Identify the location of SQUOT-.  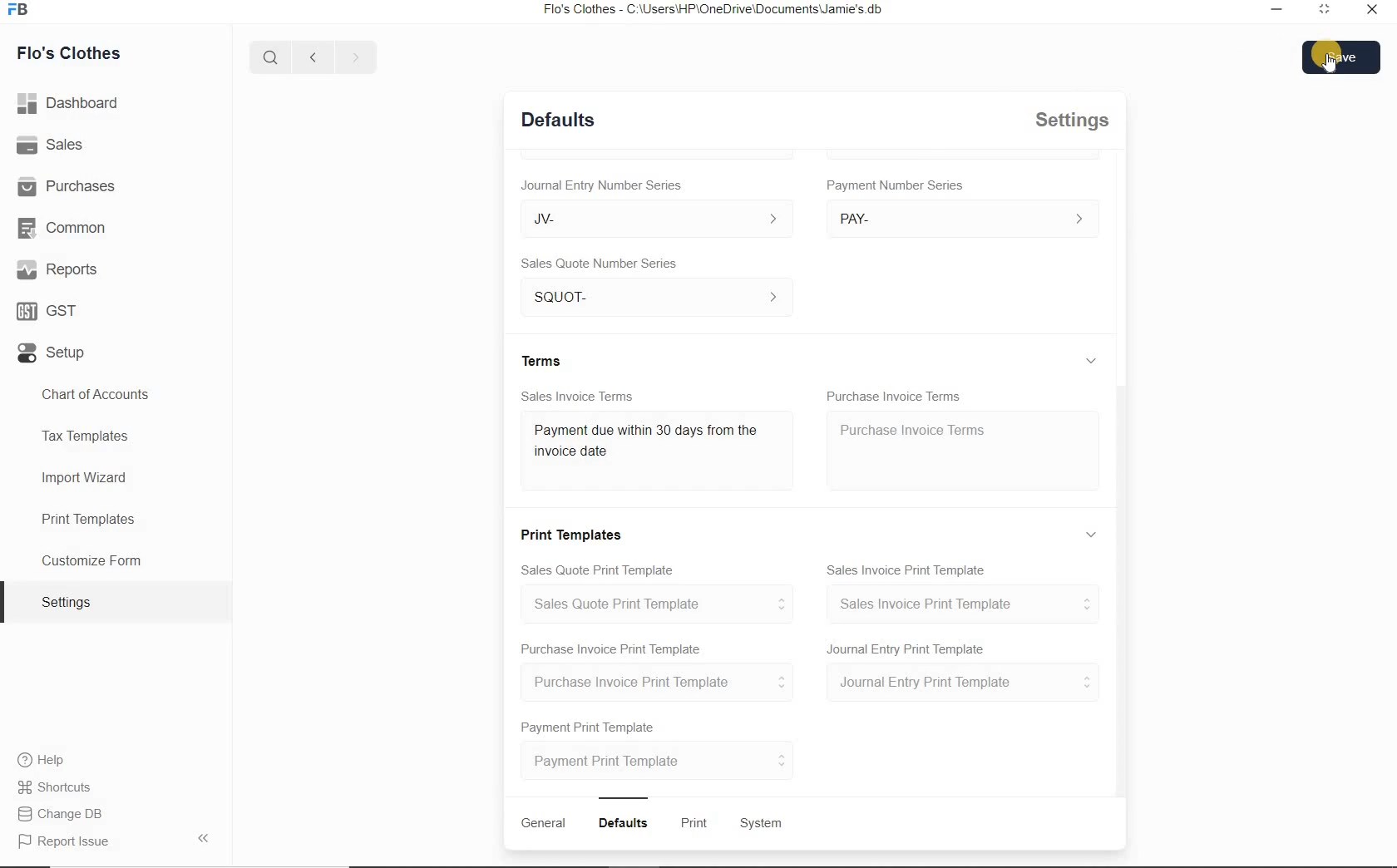
(656, 297).